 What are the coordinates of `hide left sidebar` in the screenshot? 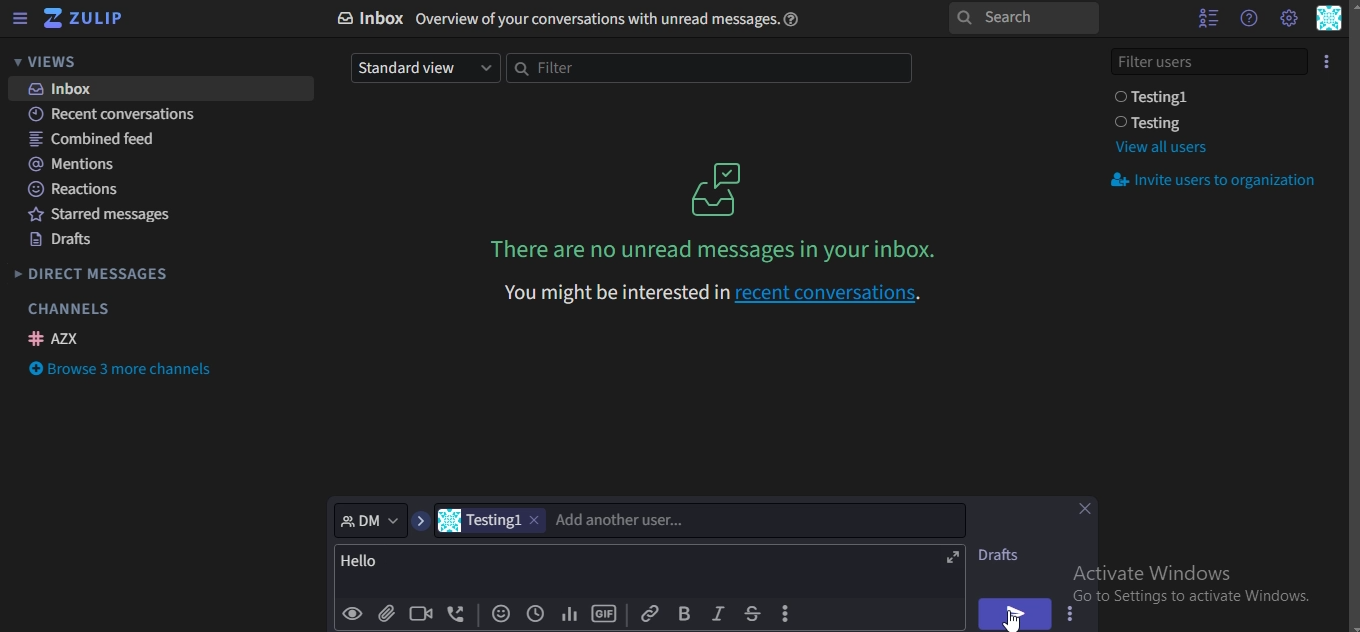 It's located at (20, 20).